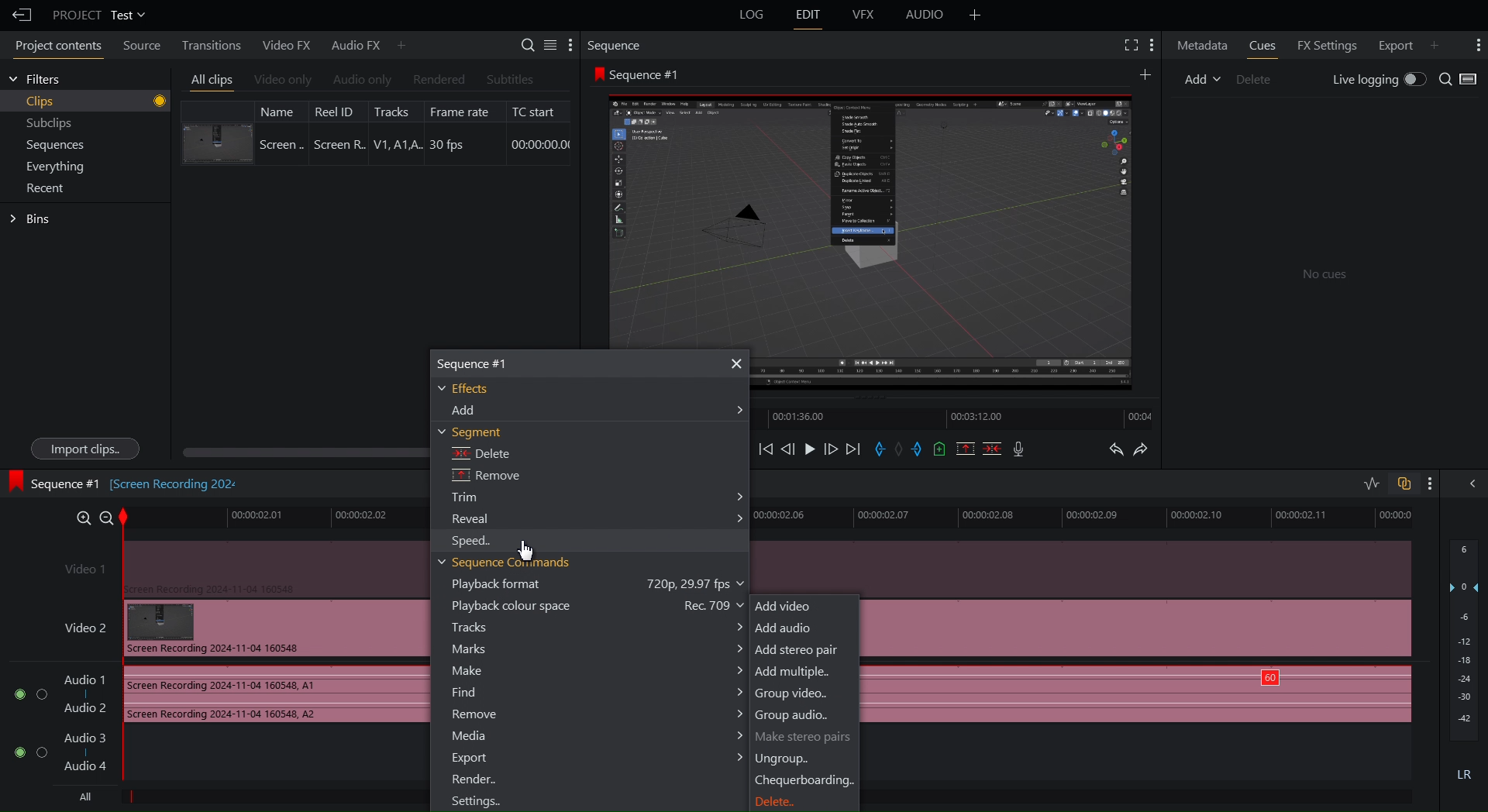 The height and width of the screenshot is (812, 1488). Describe the element at coordinates (598, 497) in the screenshot. I see `Trim` at that location.